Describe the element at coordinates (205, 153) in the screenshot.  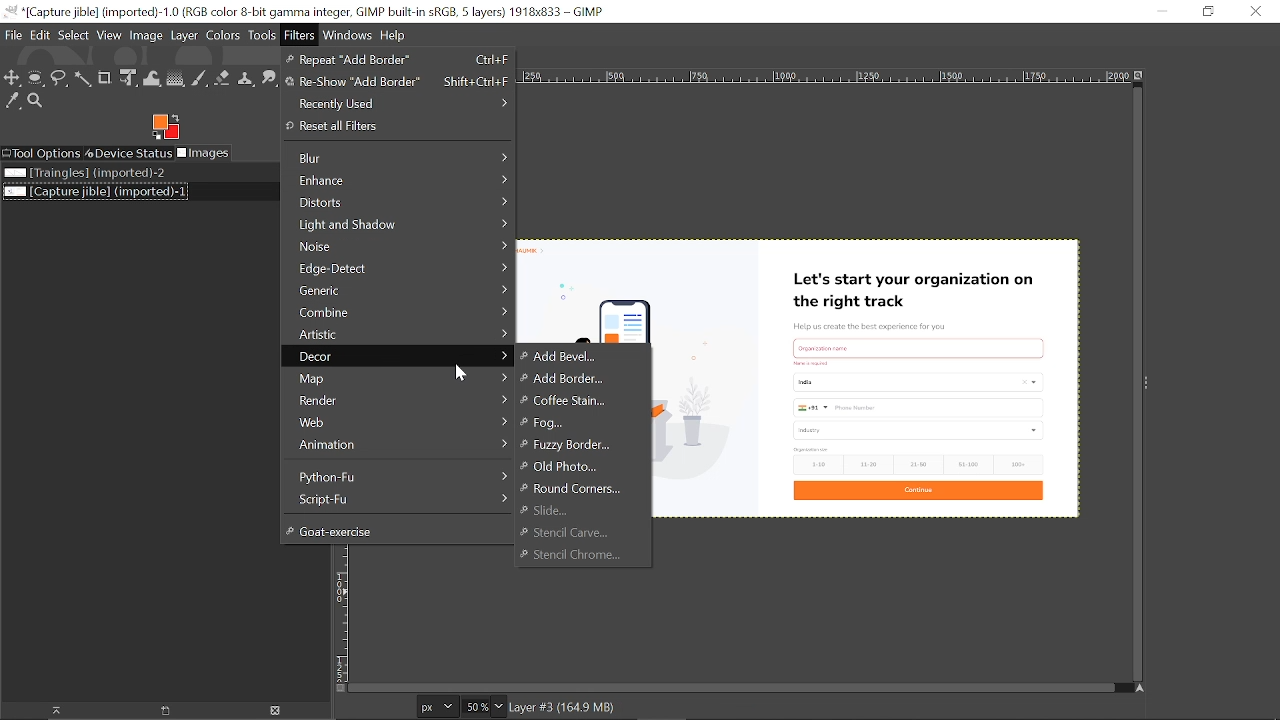
I see `Images` at that location.